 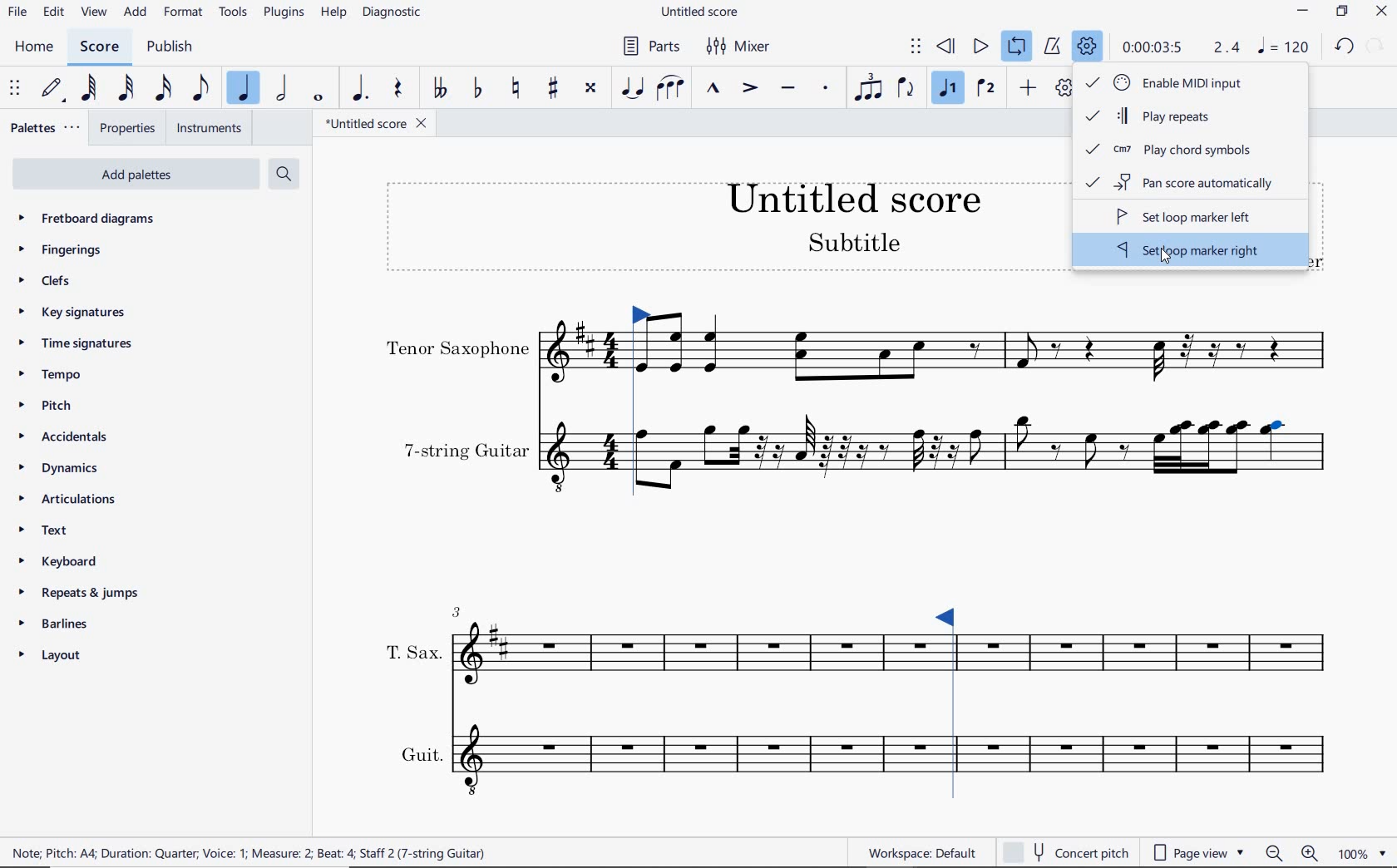 What do you see at coordinates (650, 46) in the screenshot?
I see `PARTS` at bounding box center [650, 46].